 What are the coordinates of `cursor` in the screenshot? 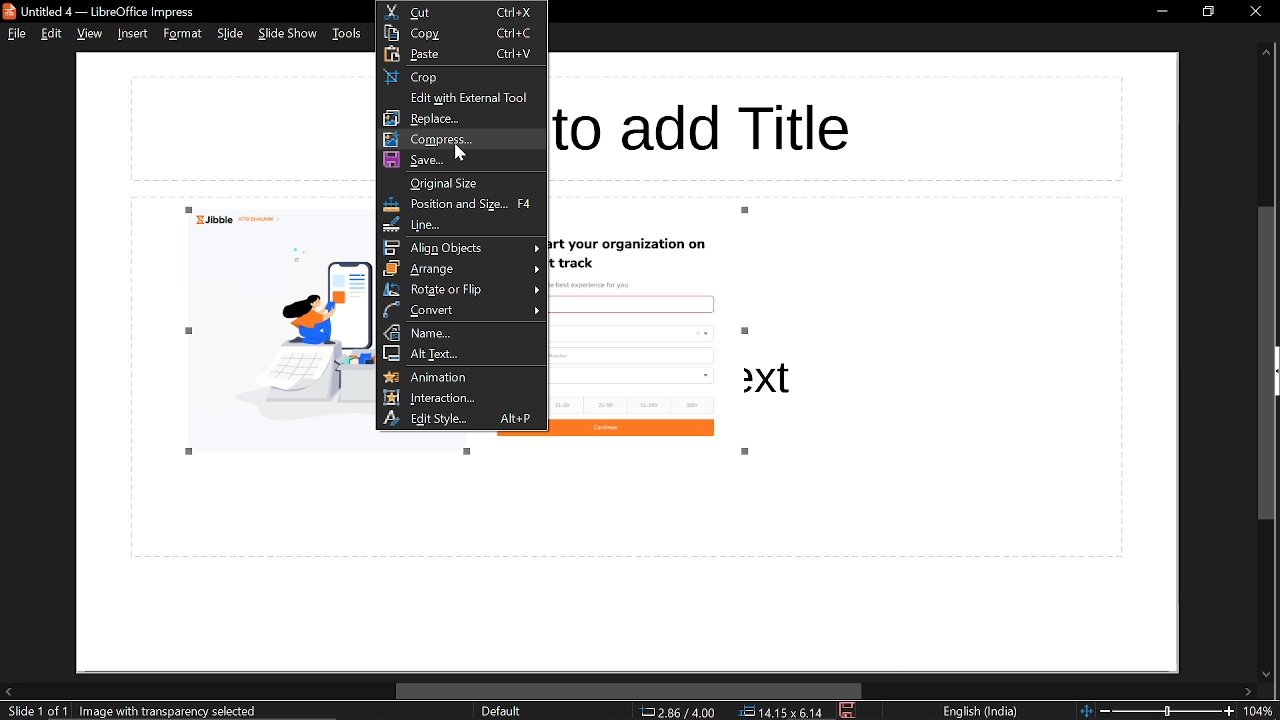 It's located at (462, 151).